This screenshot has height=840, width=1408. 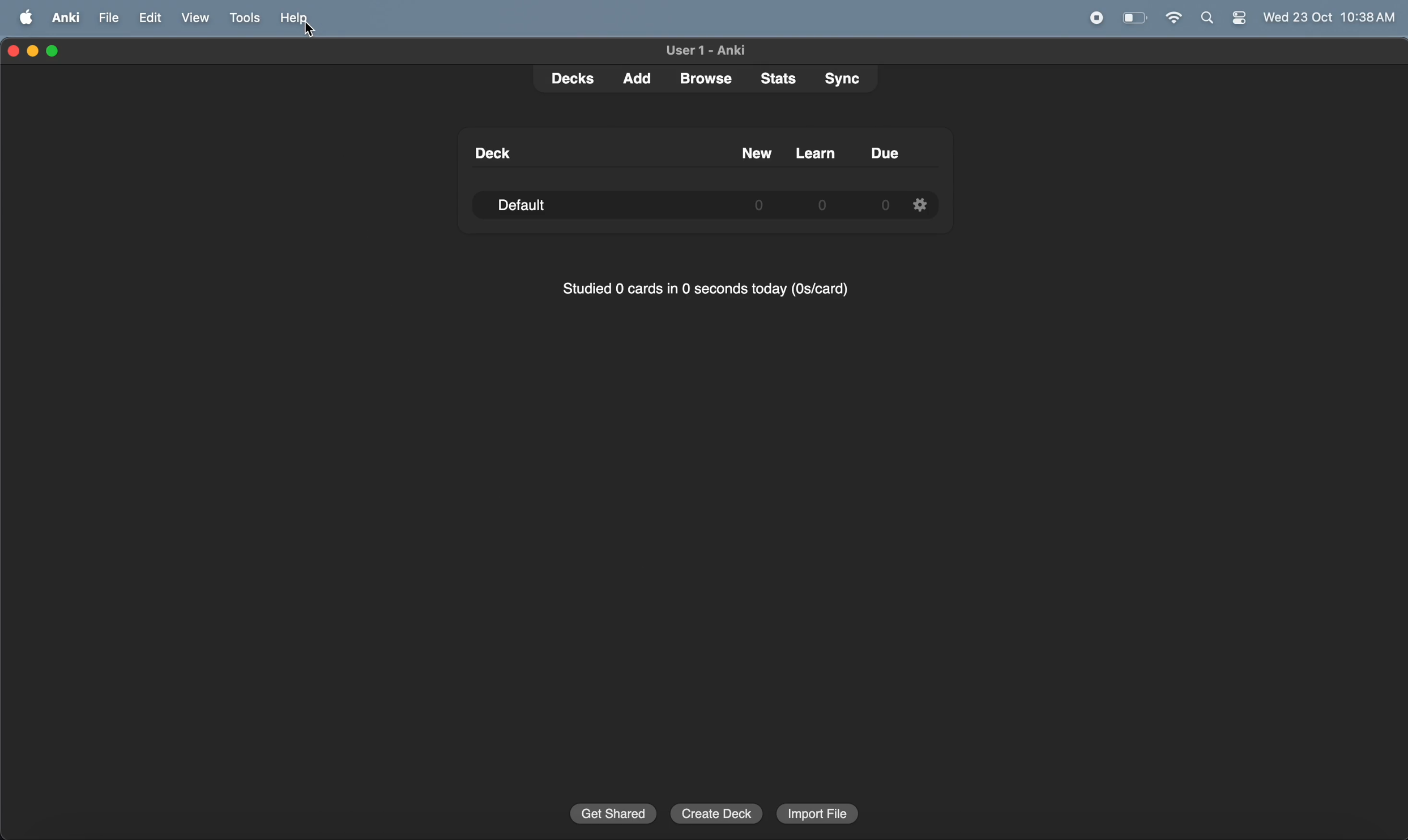 I want to click on uer title anki, so click(x=705, y=51).